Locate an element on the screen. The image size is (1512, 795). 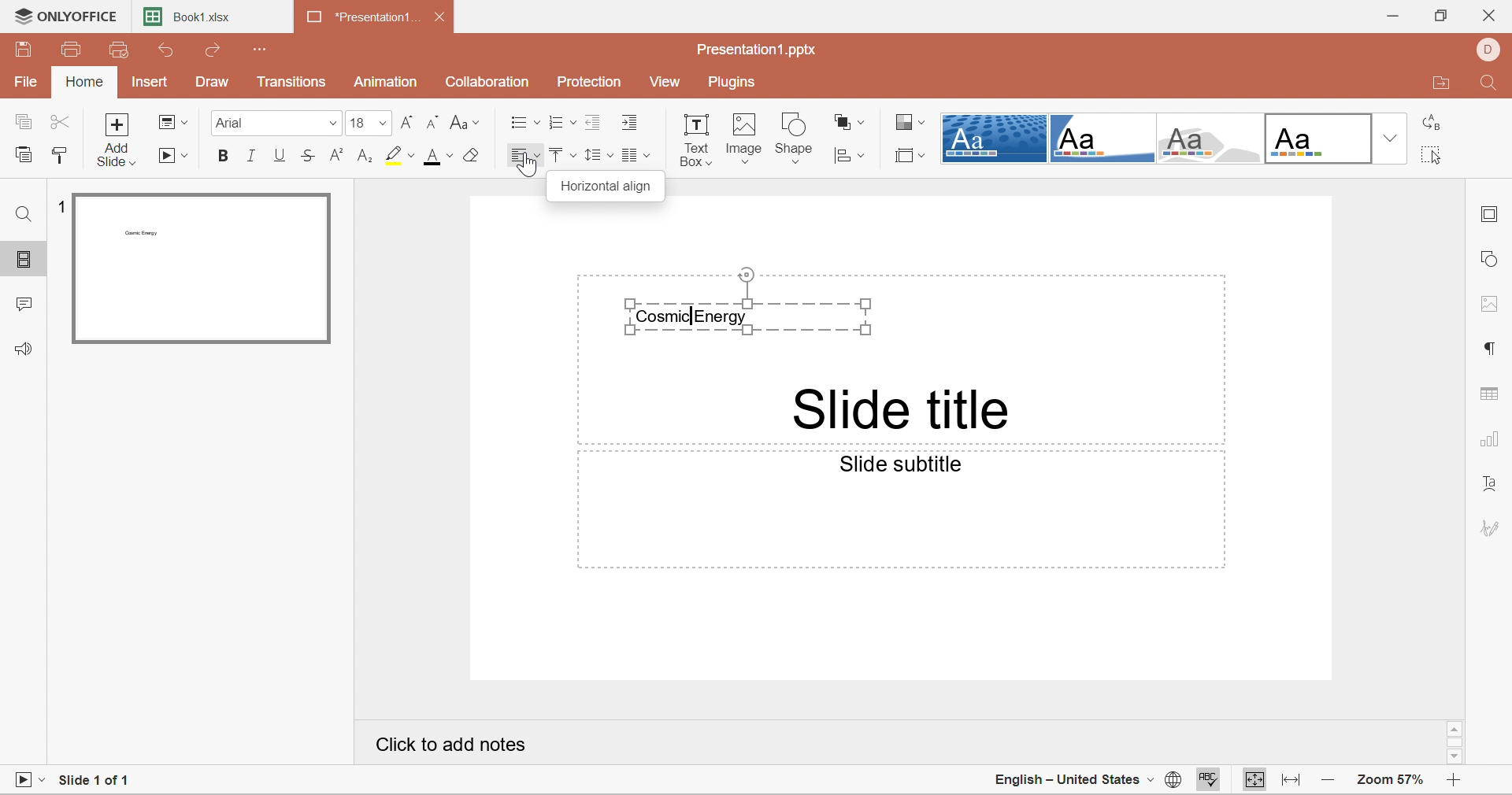
Change Case is located at coordinates (465, 122).